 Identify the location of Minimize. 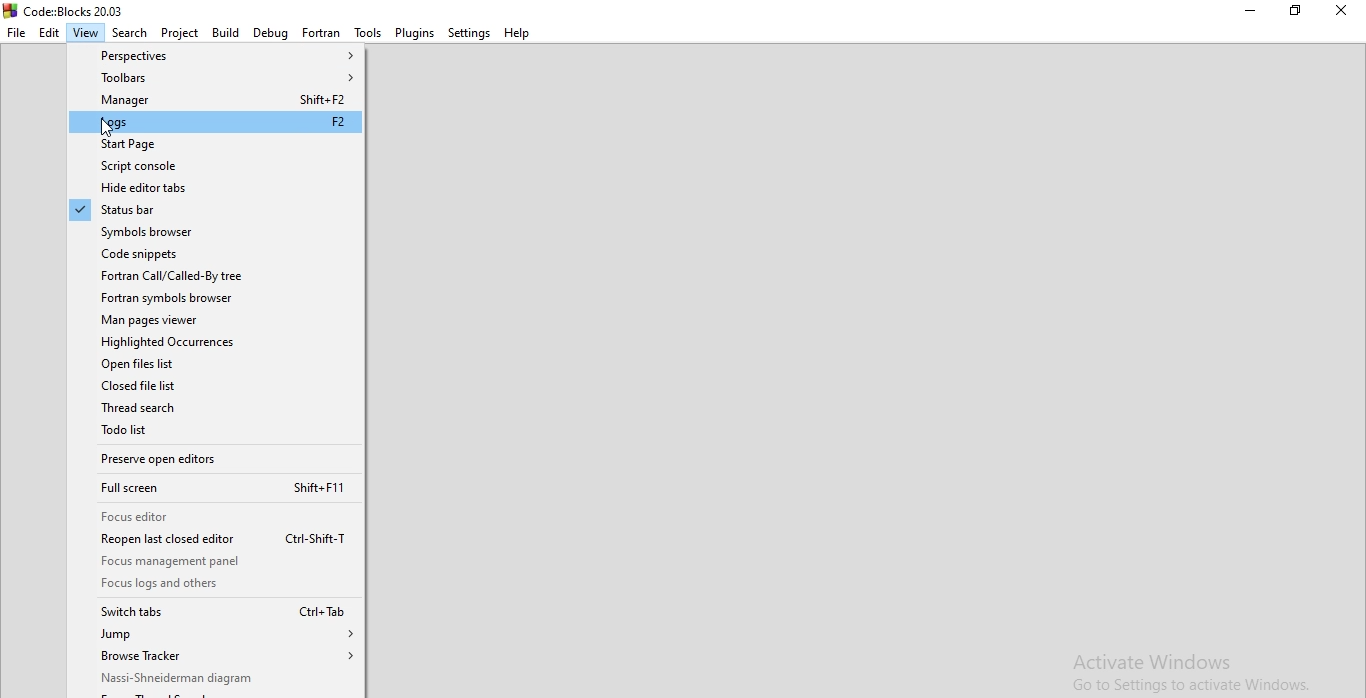
(1251, 11).